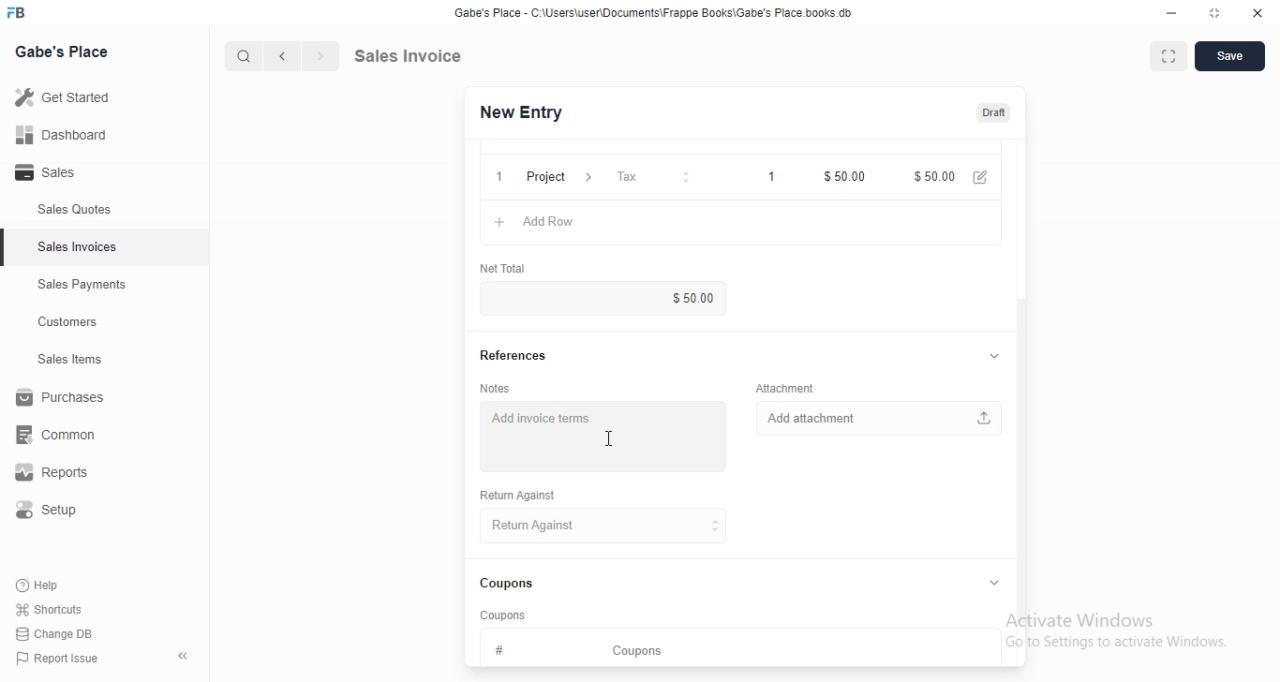  What do you see at coordinates (505, 268) in the screenshot?
I see `‘Net Total` at bounding box center [505, 268].